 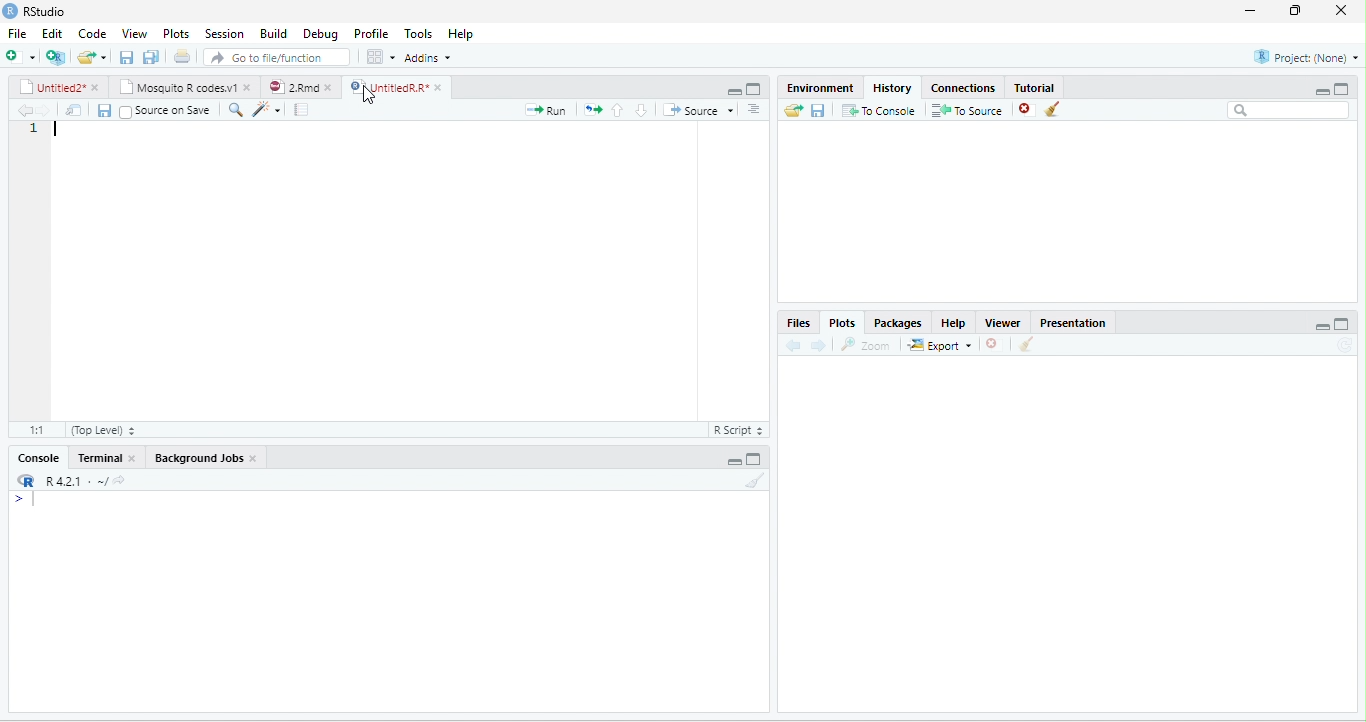 I want to click on search bar, so click(x=1289, y=111).